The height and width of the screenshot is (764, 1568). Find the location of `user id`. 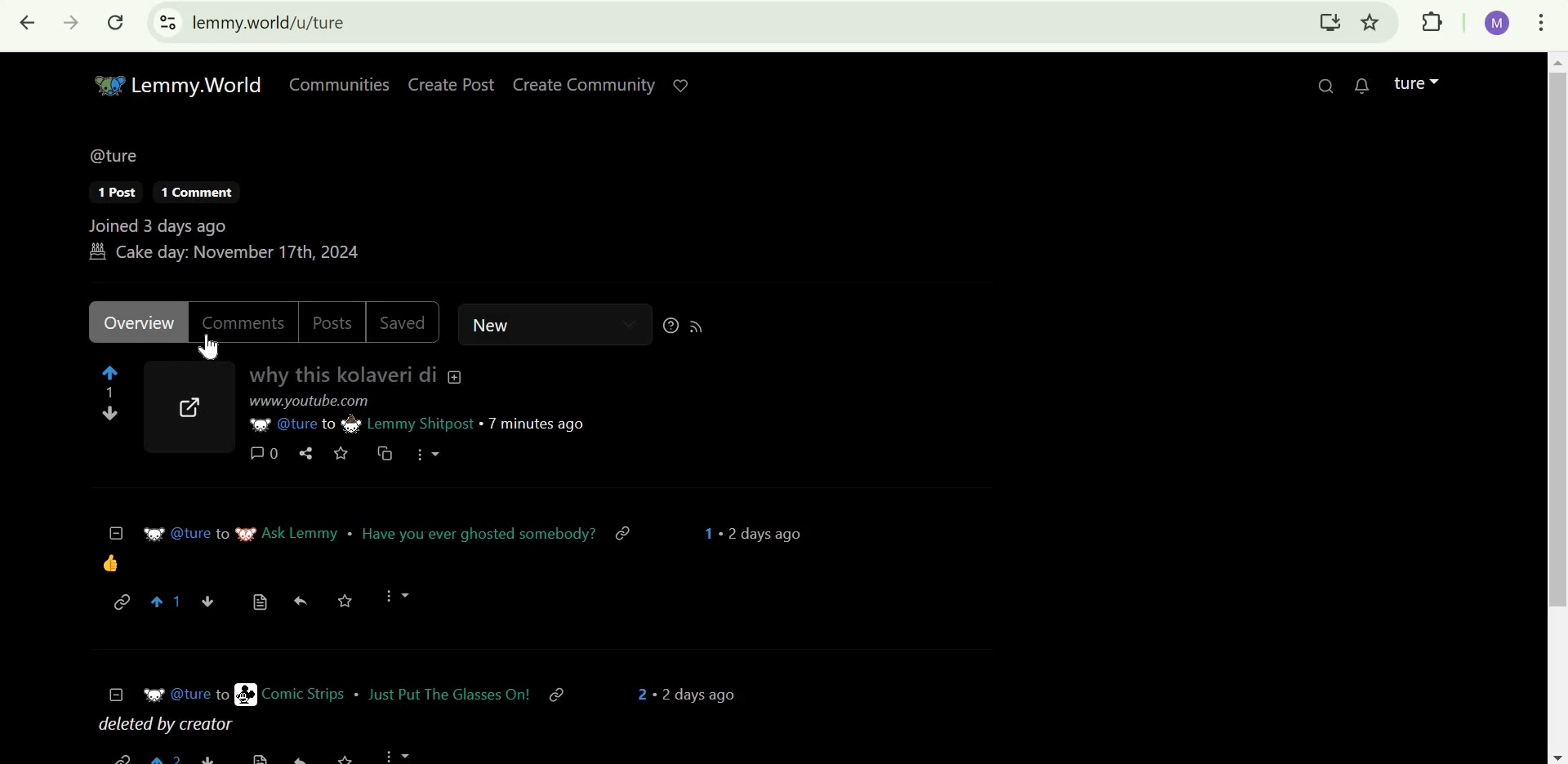

user id is located at coordinates (188, 535).